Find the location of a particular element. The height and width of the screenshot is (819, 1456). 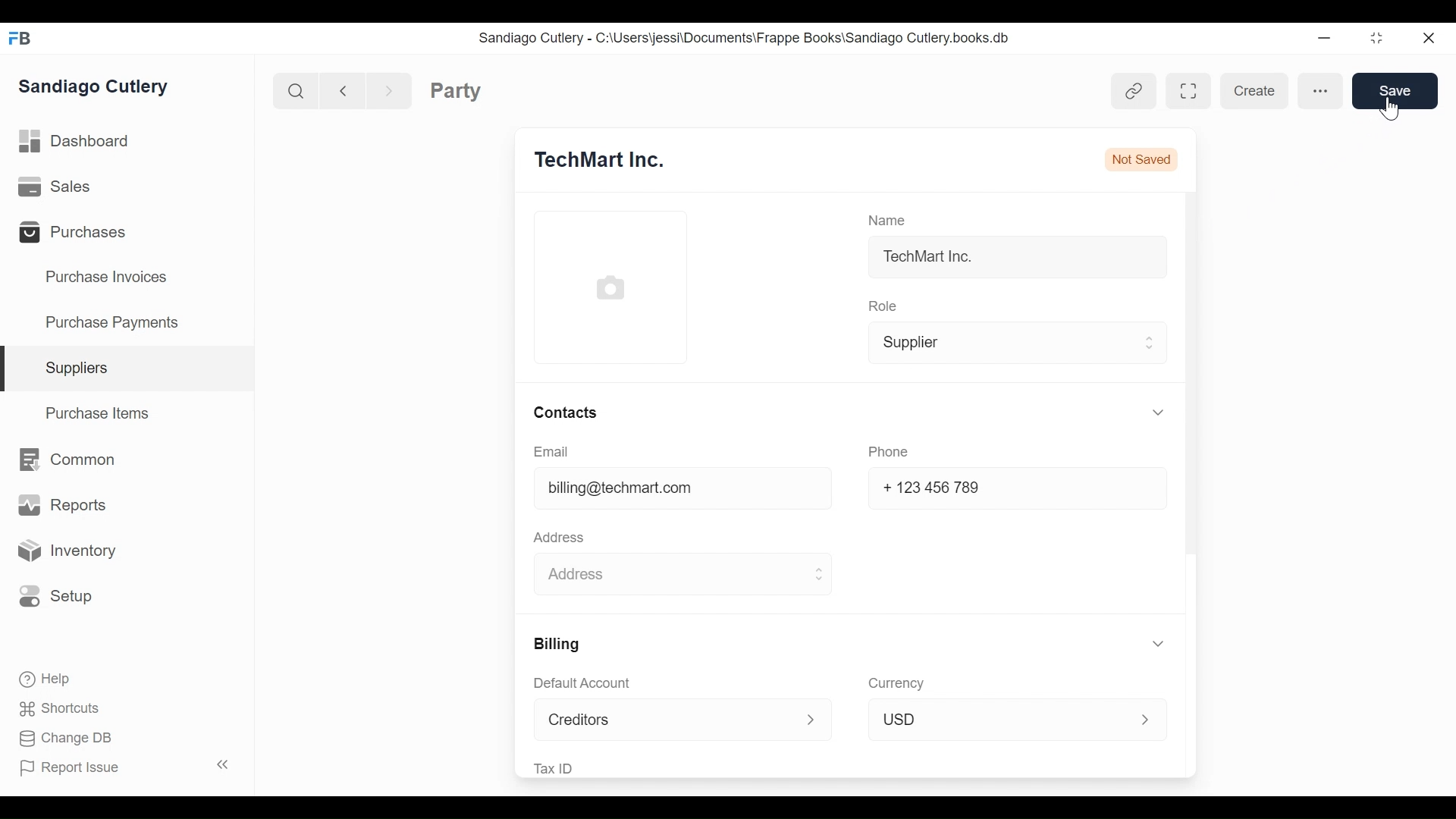

Default Account is located at coordinates (588, 685).